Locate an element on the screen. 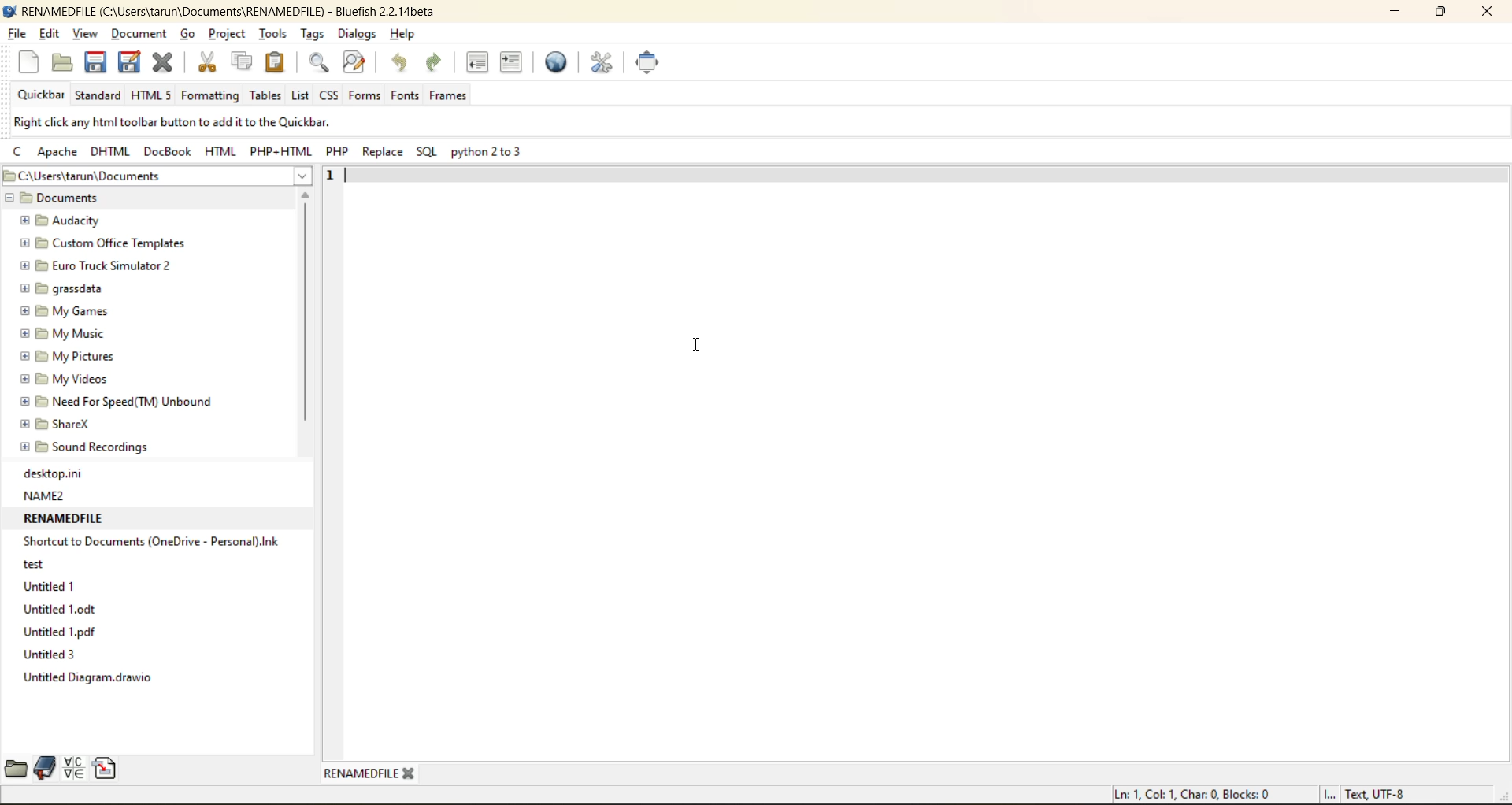  open is located at coordinates (62, 65).